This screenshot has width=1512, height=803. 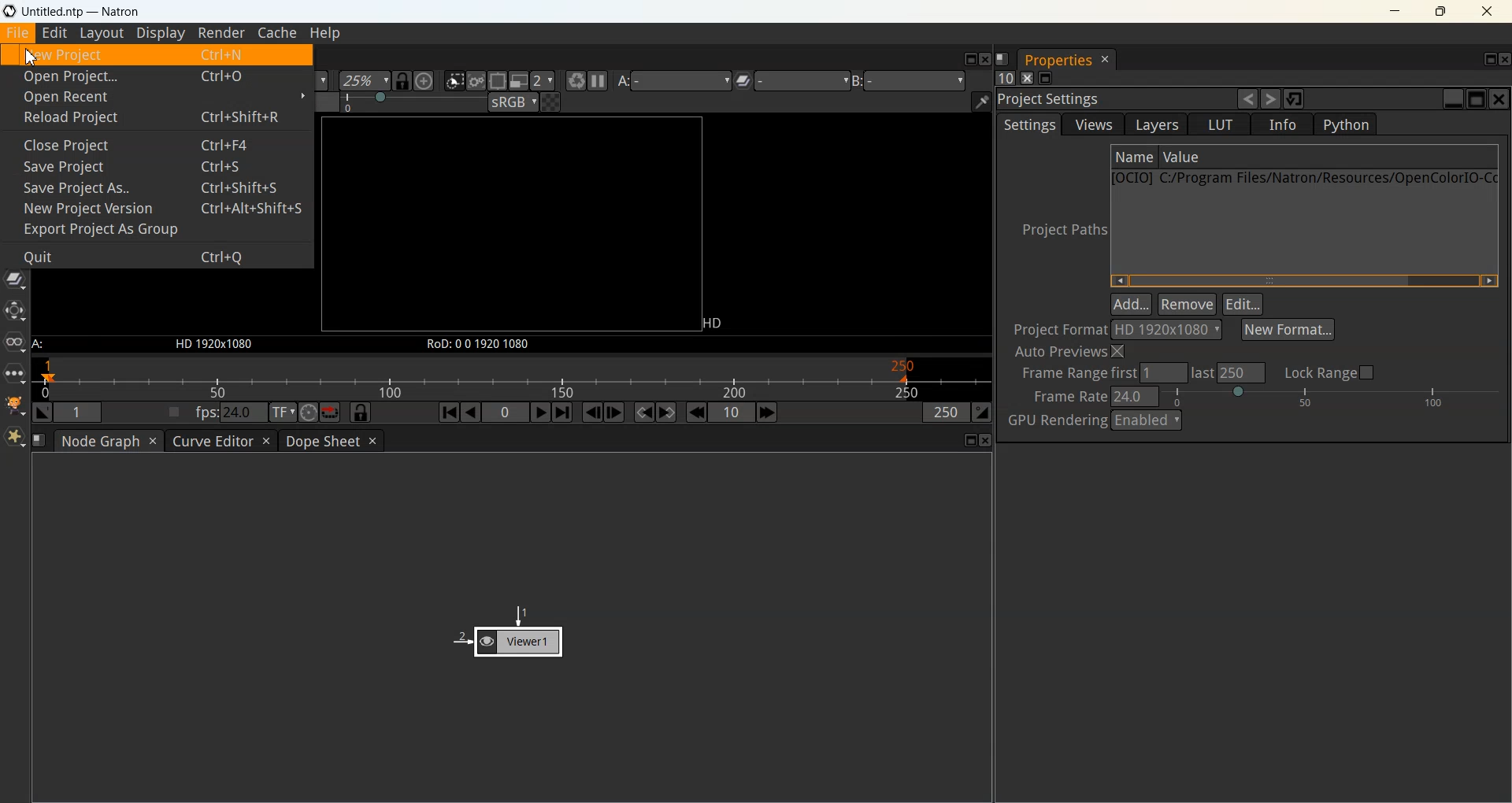 I want to click on Close Dope sheet, so click(x=372, y=440).